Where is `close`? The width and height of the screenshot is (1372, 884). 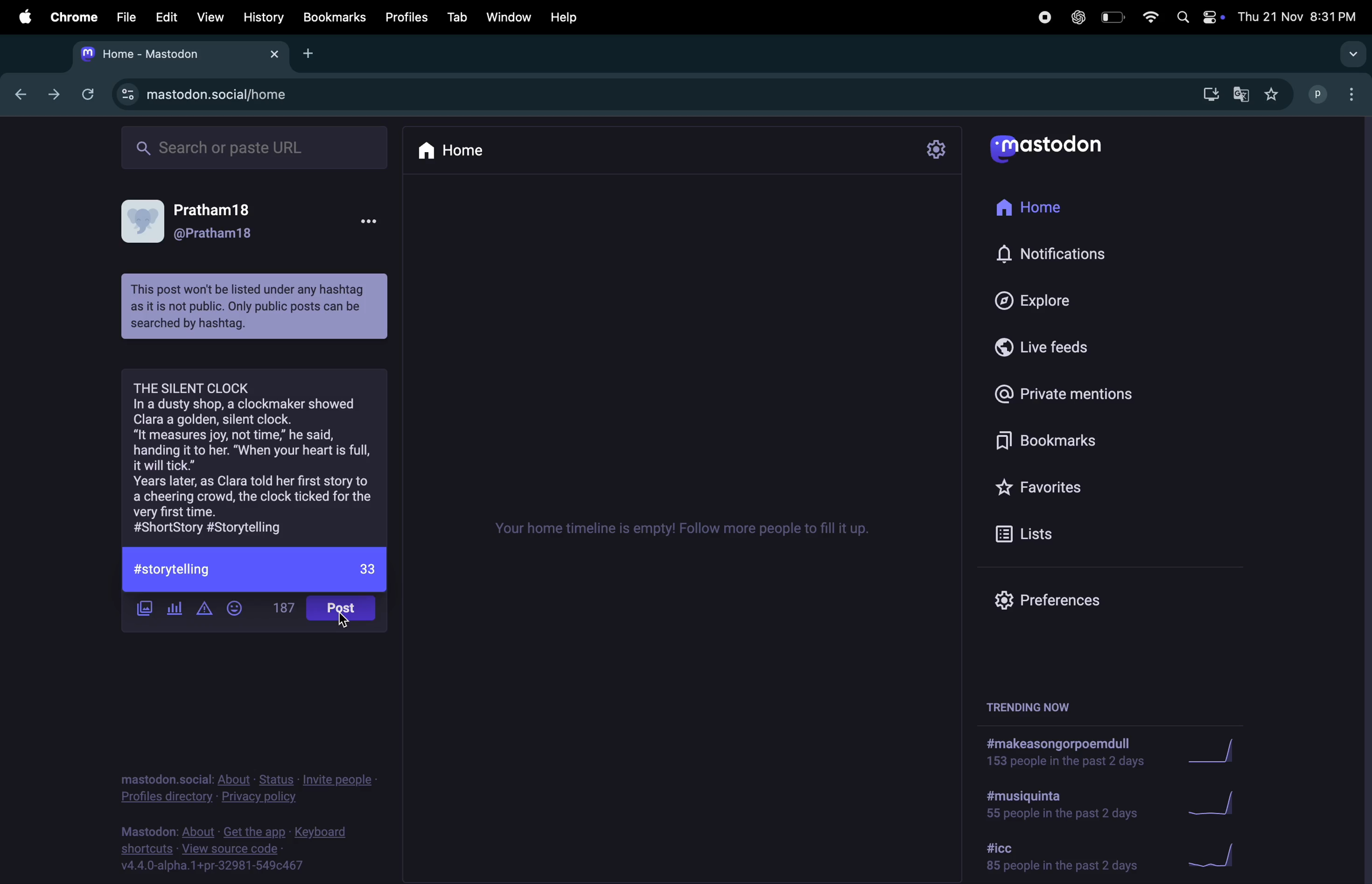
close is located at coordinates (273, 55).